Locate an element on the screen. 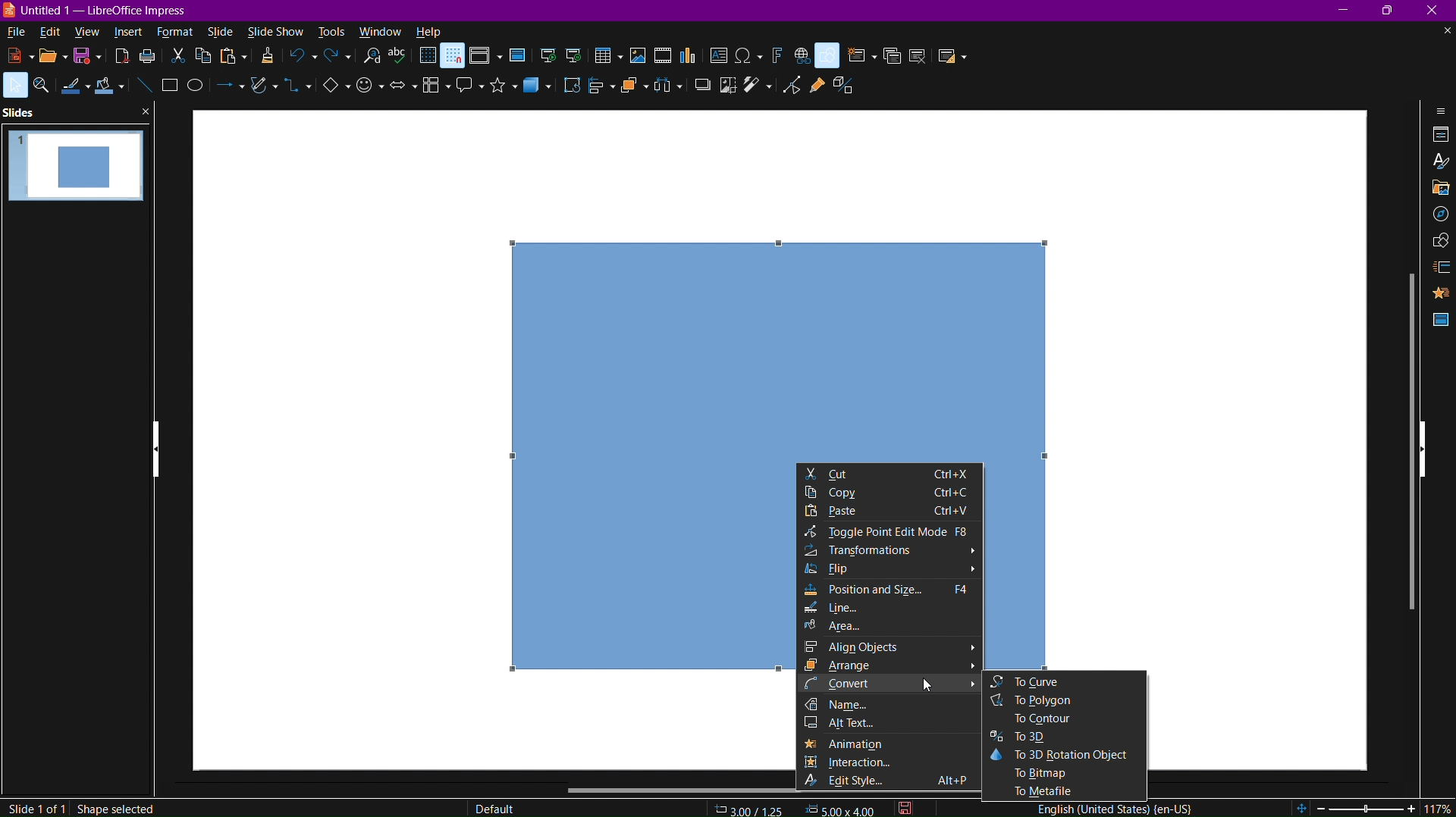 The image size is (1456, 817). view is located at coordinates (89, 33).